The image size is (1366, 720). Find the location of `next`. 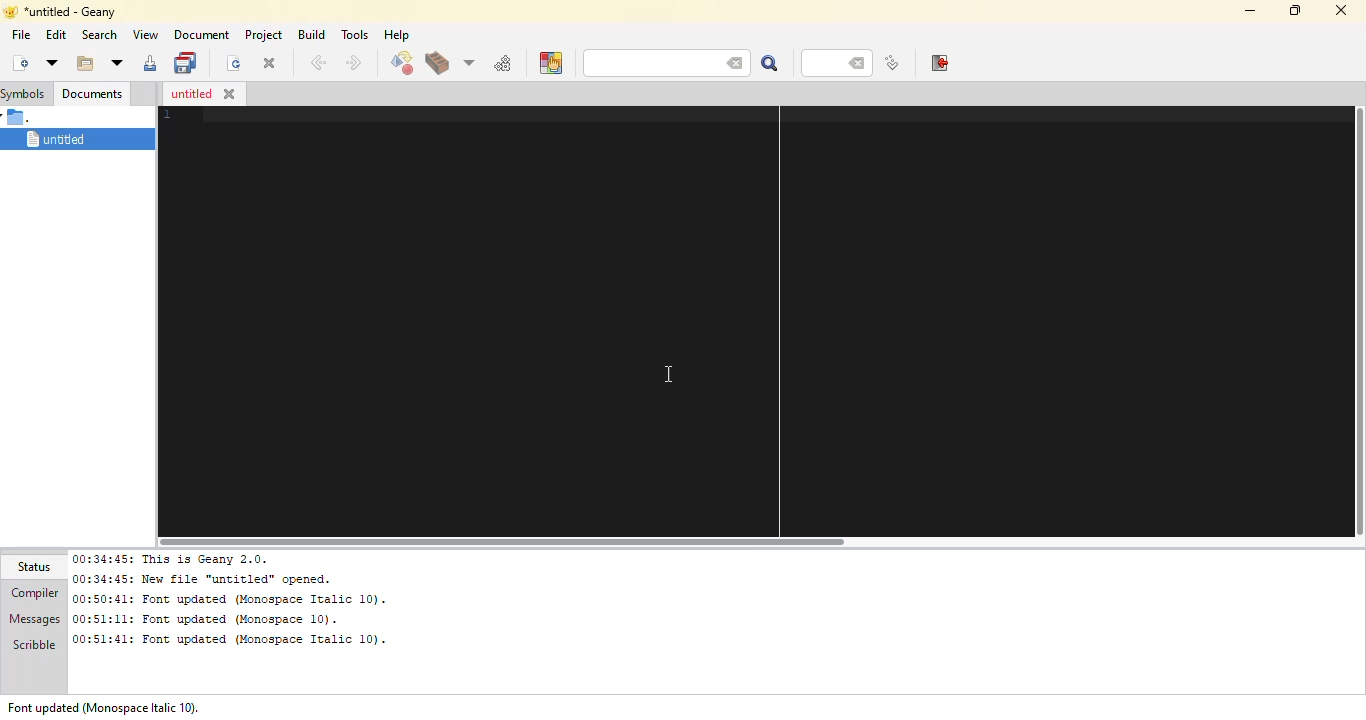

next is located at coordinates (352, 63).